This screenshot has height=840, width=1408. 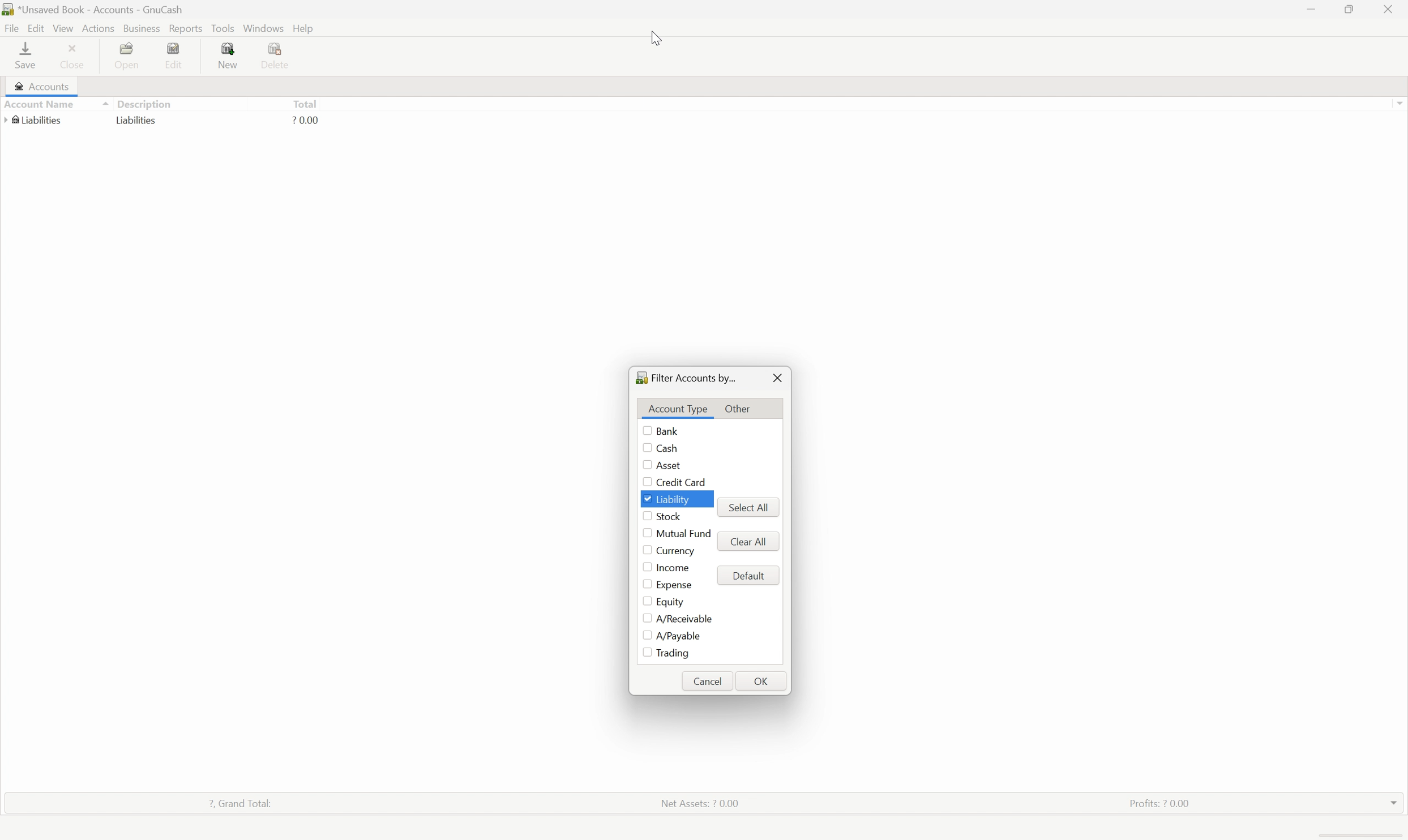 I want to click on Checkbox, so click(x=643, y=618).